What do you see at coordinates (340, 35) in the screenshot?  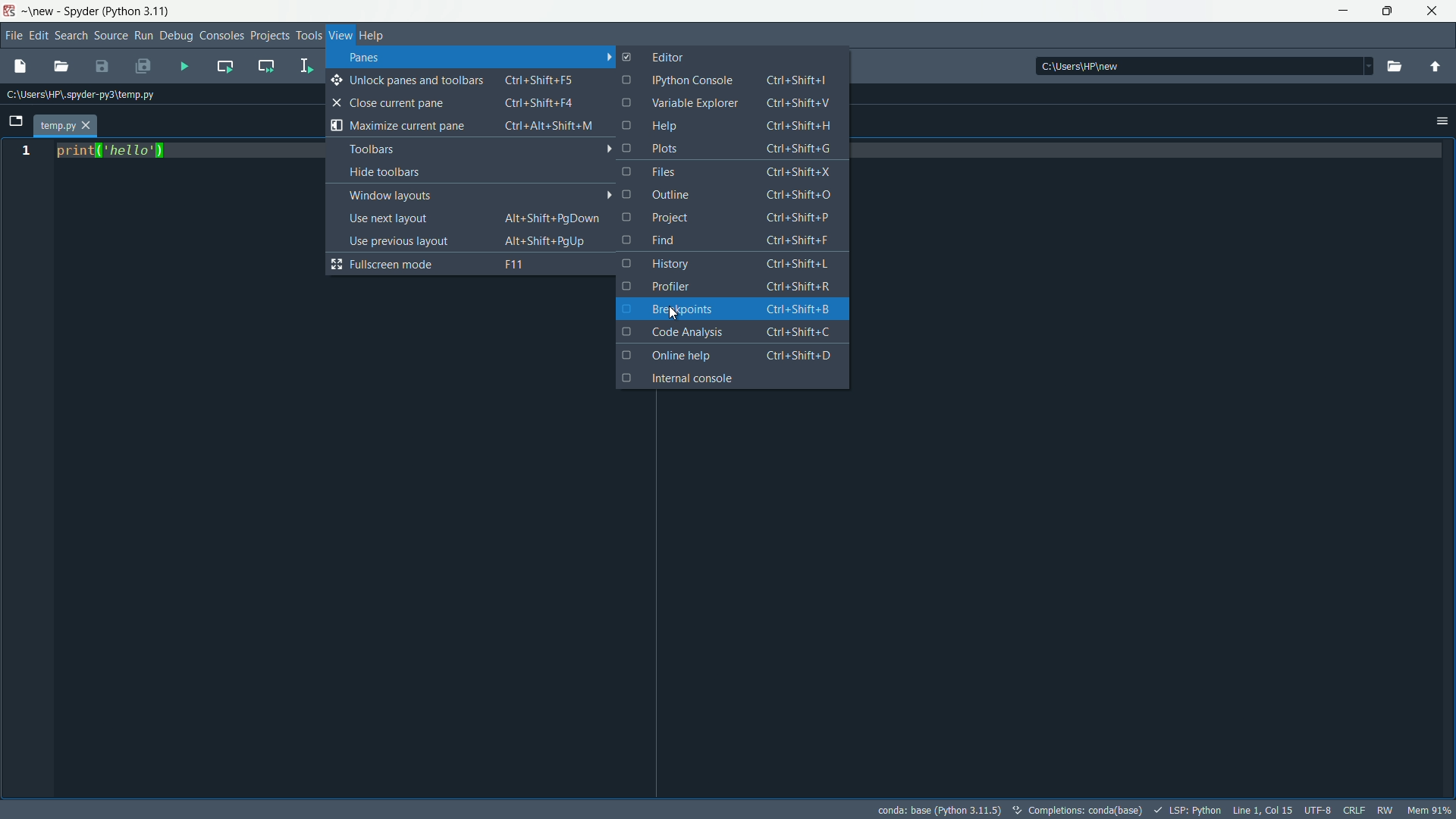 I see `view menu` at bounding box center [340, 35].